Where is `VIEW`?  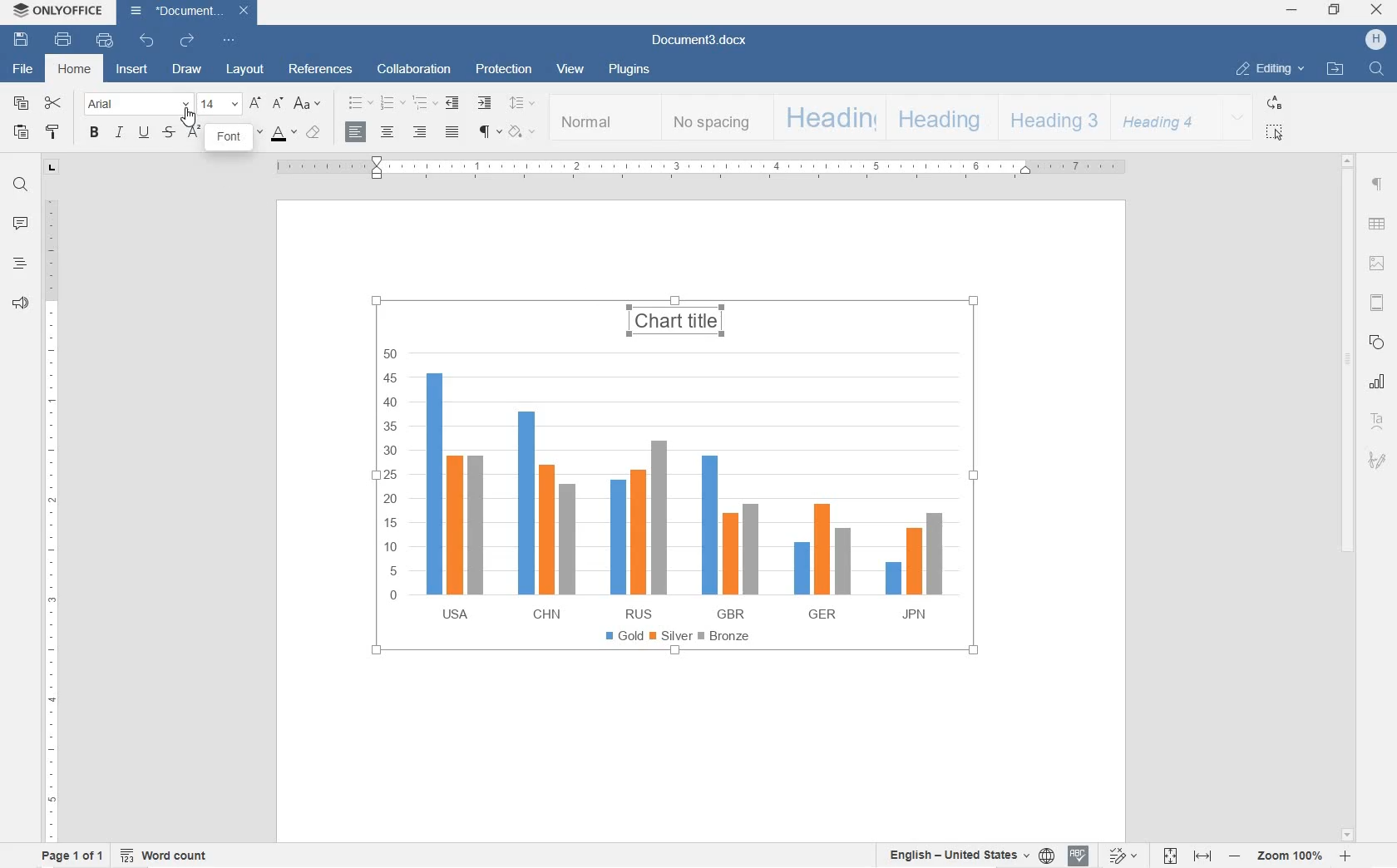 VIEW is located at coordinates (572, 71).